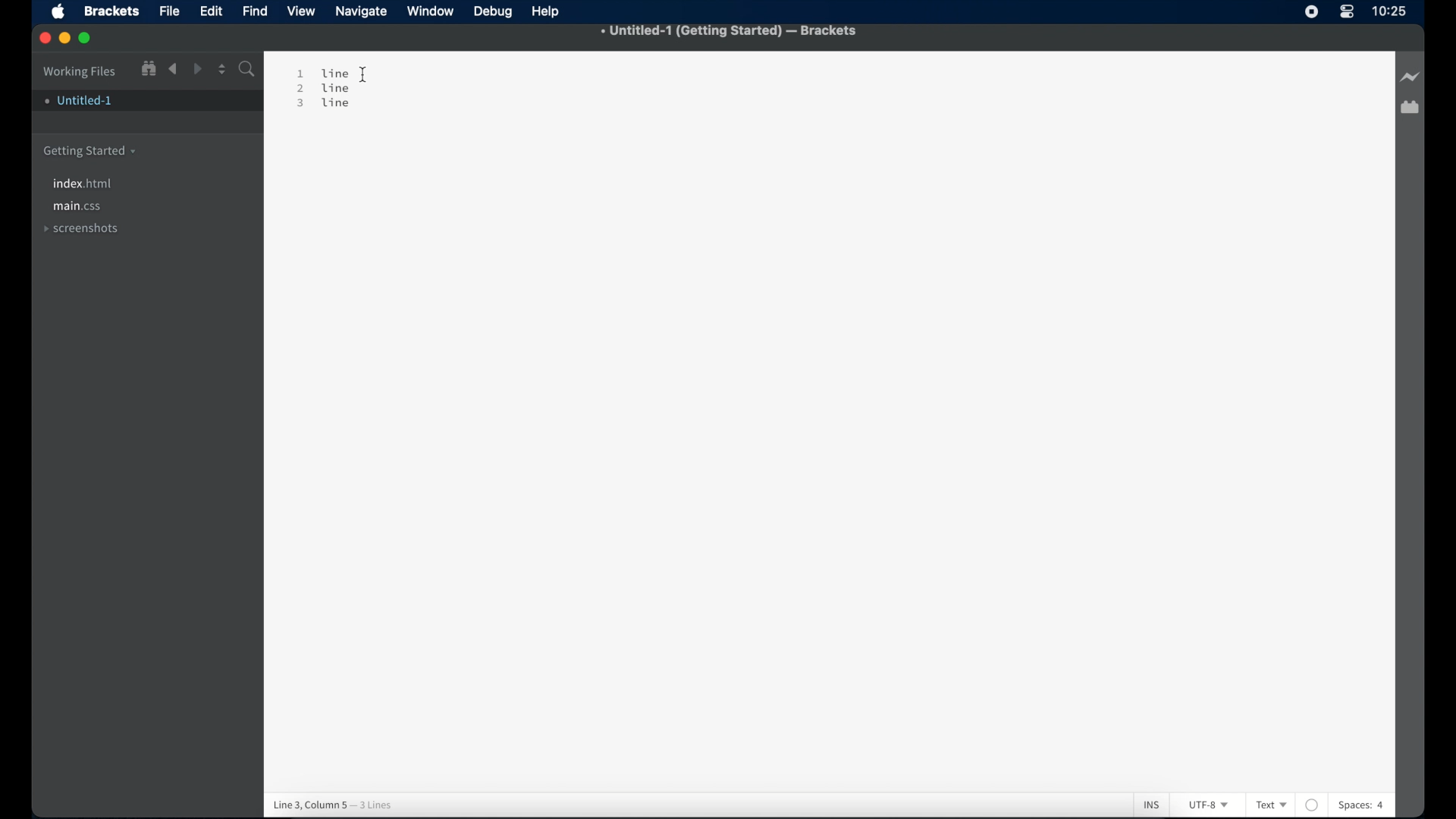 This screenshot has width=1456, height=819. Describe the element at coordinates (1210, 805) in the screenshot. I see `utf-8 menu` at that location.